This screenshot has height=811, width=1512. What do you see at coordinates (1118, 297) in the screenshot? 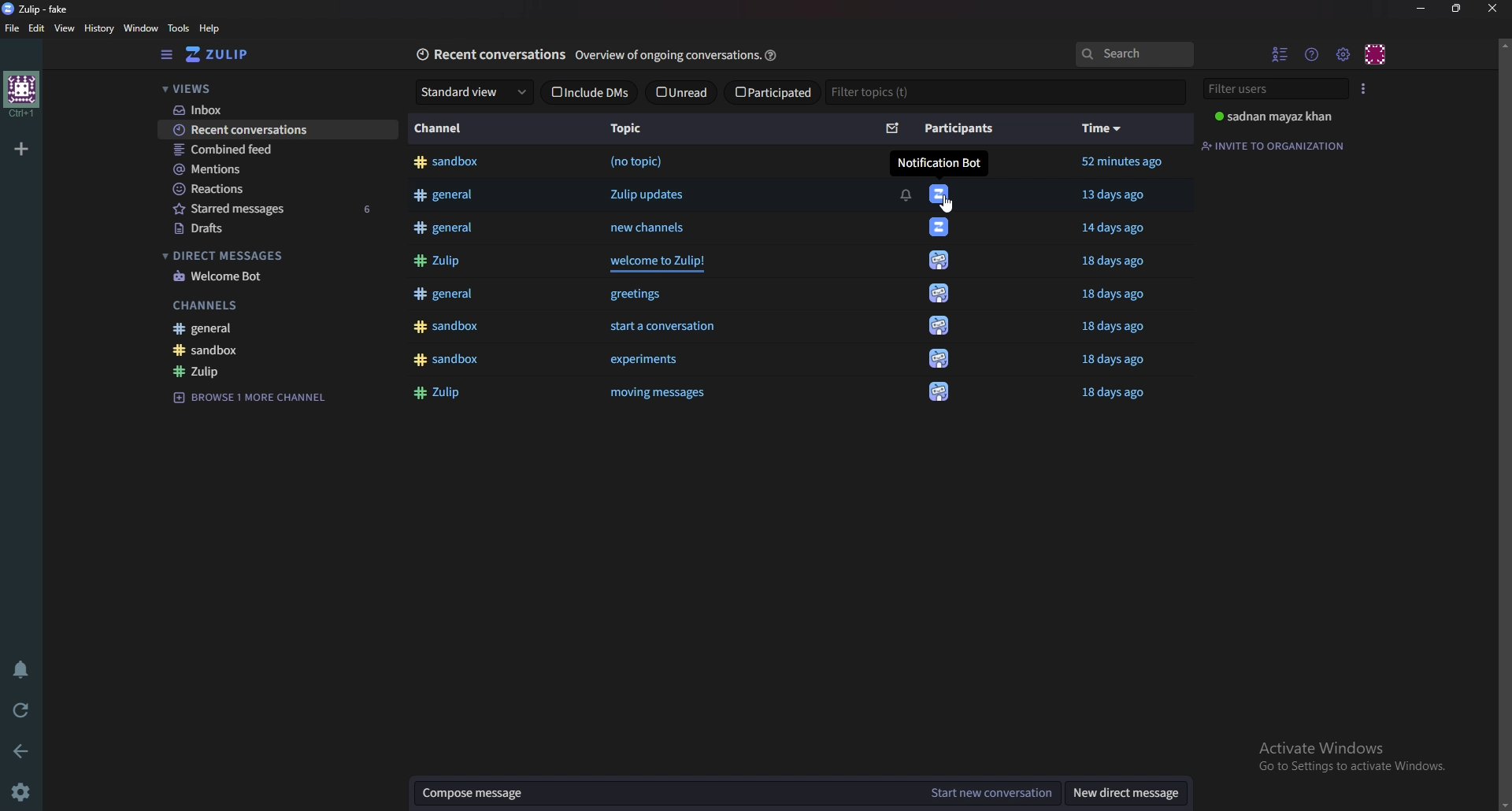
I see `18 days ago` at bounding box center [1118, 297].